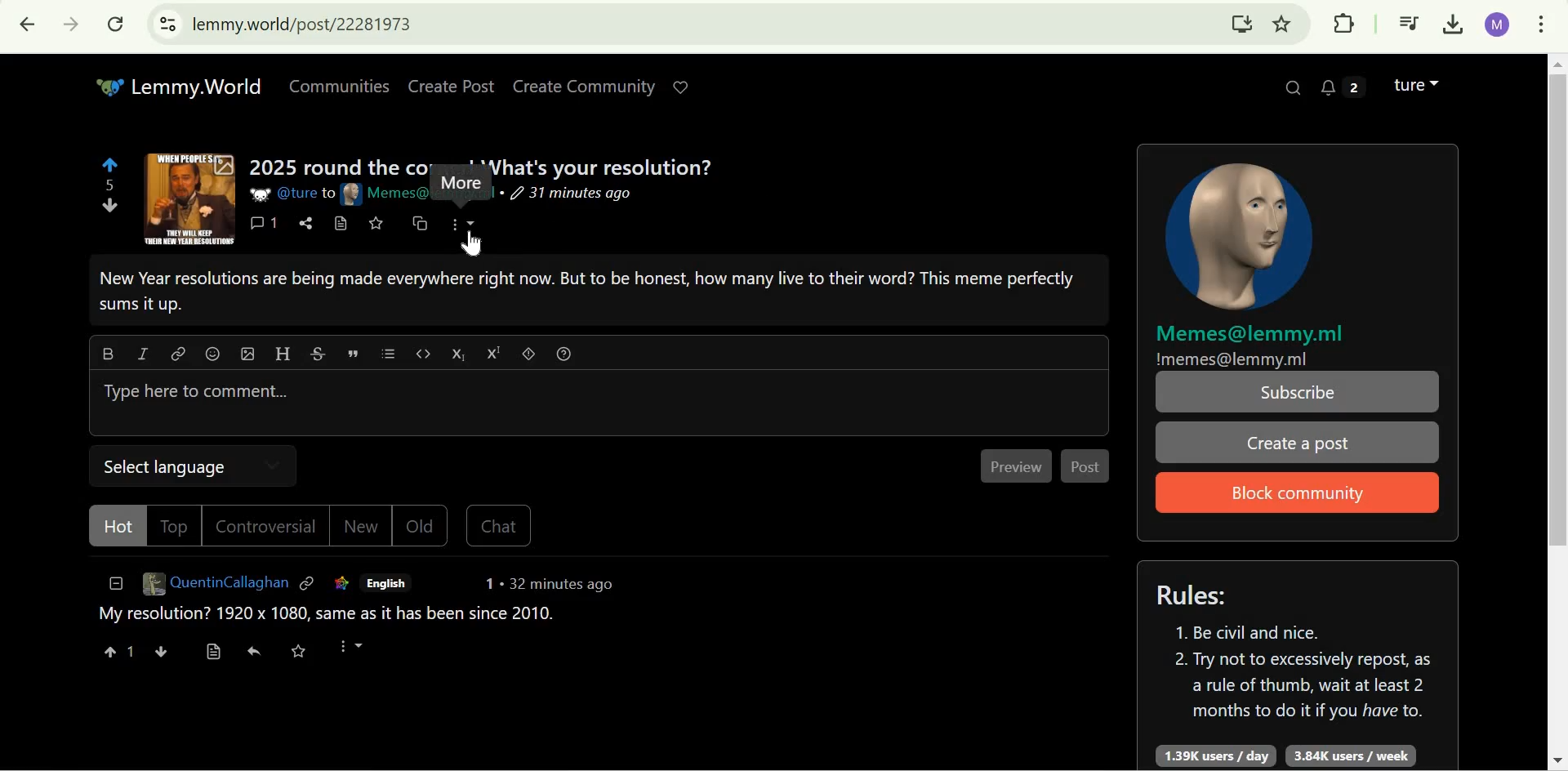 The height and width of the screenshot is (771, 1568). I want to click on share, so click(308, 223).